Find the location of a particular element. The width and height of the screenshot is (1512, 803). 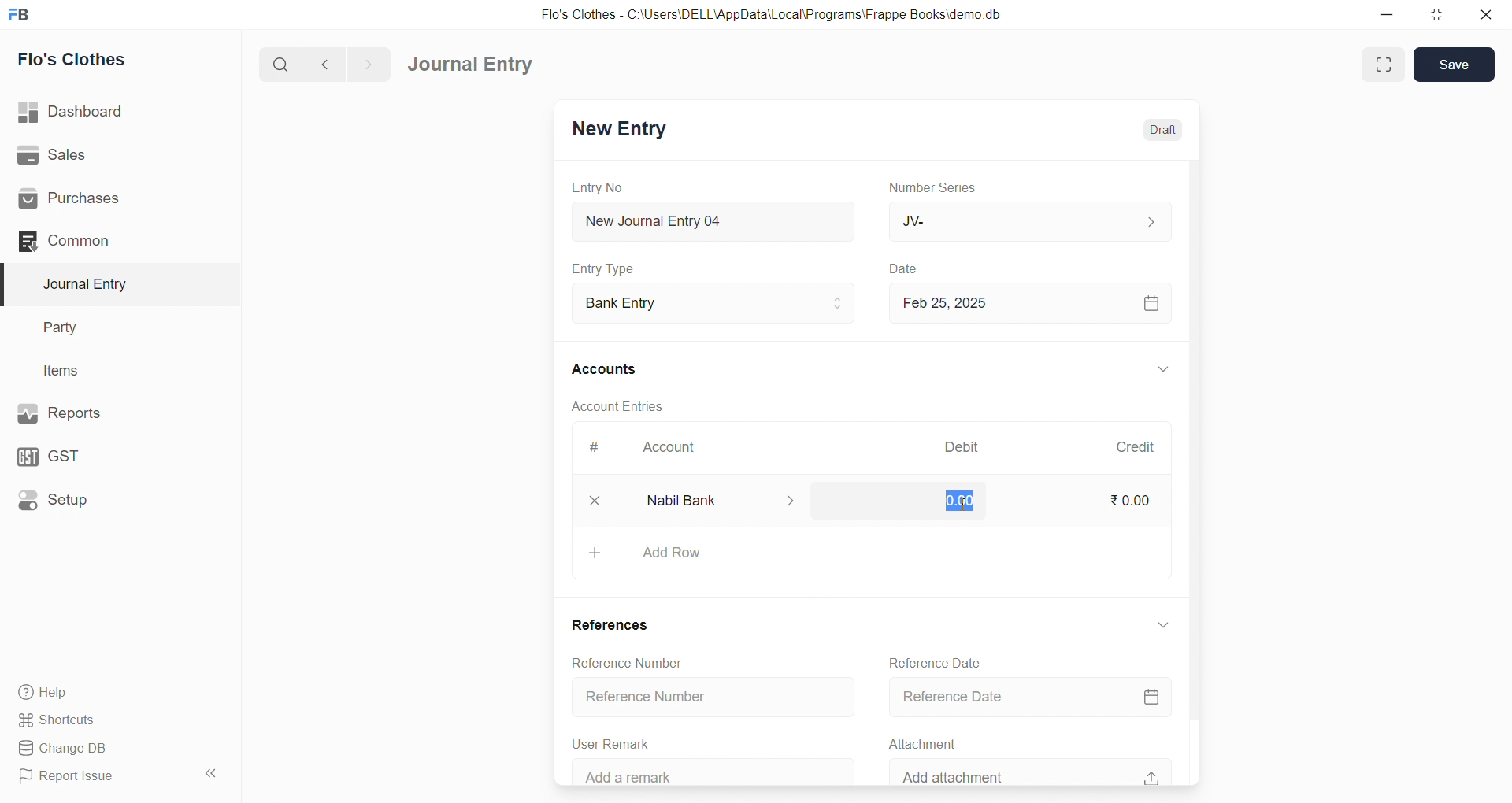

Debit is located at coordinates (962, 449).